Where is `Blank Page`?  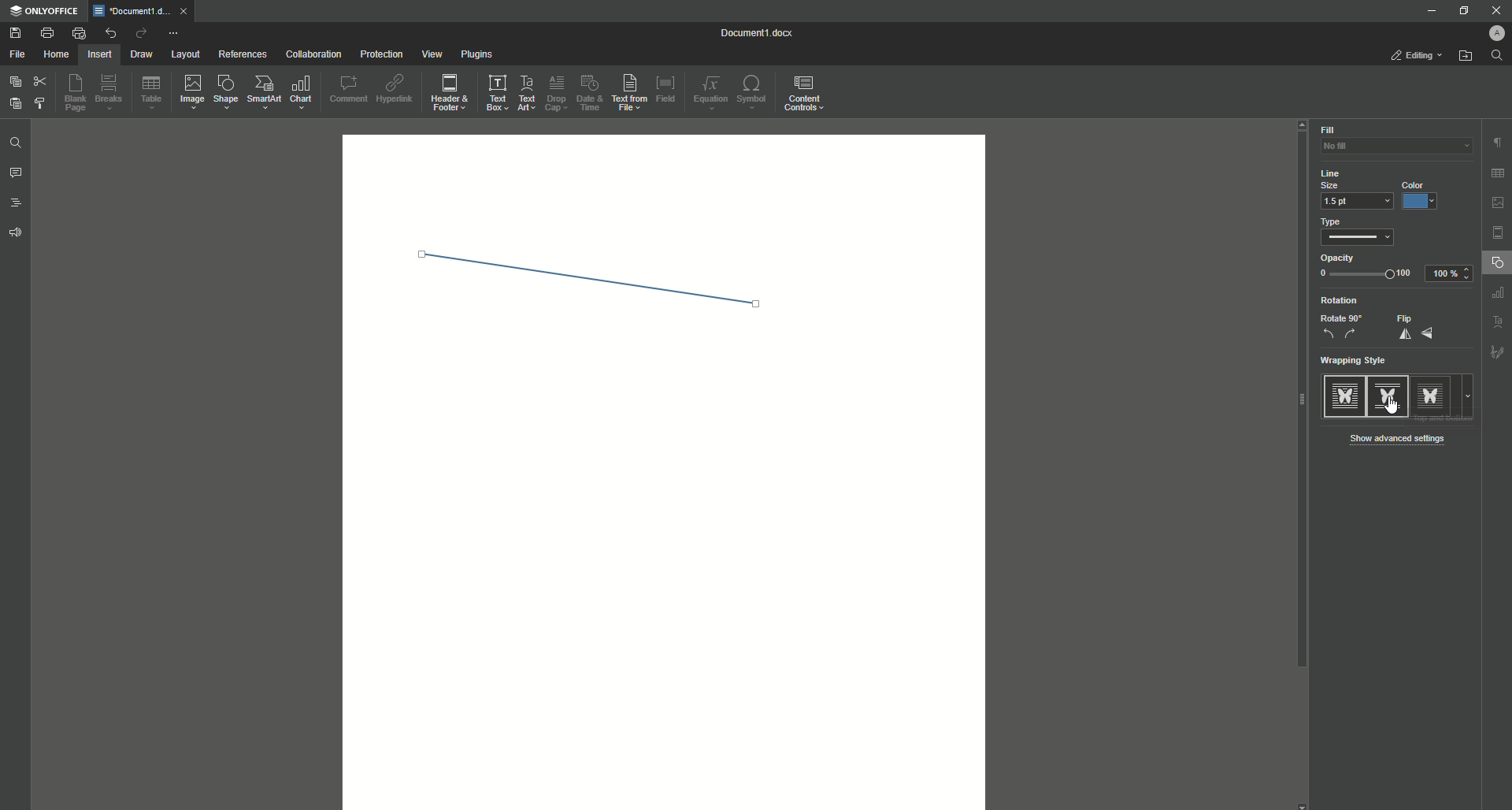
Blank Page is located at coordinates (78, 95).